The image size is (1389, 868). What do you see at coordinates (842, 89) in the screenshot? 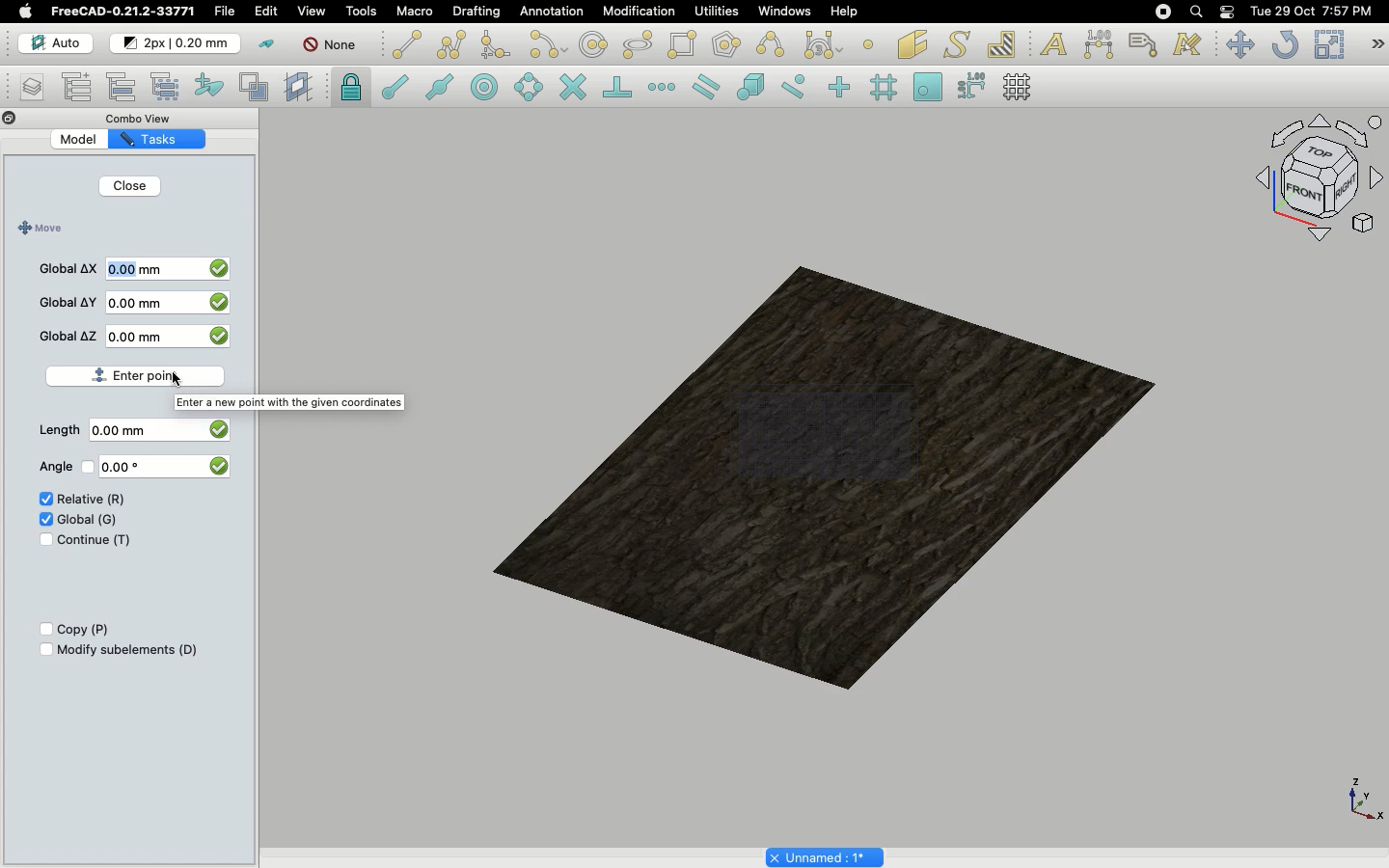
I see `Snap ortho` at bounding box center [842, 89].